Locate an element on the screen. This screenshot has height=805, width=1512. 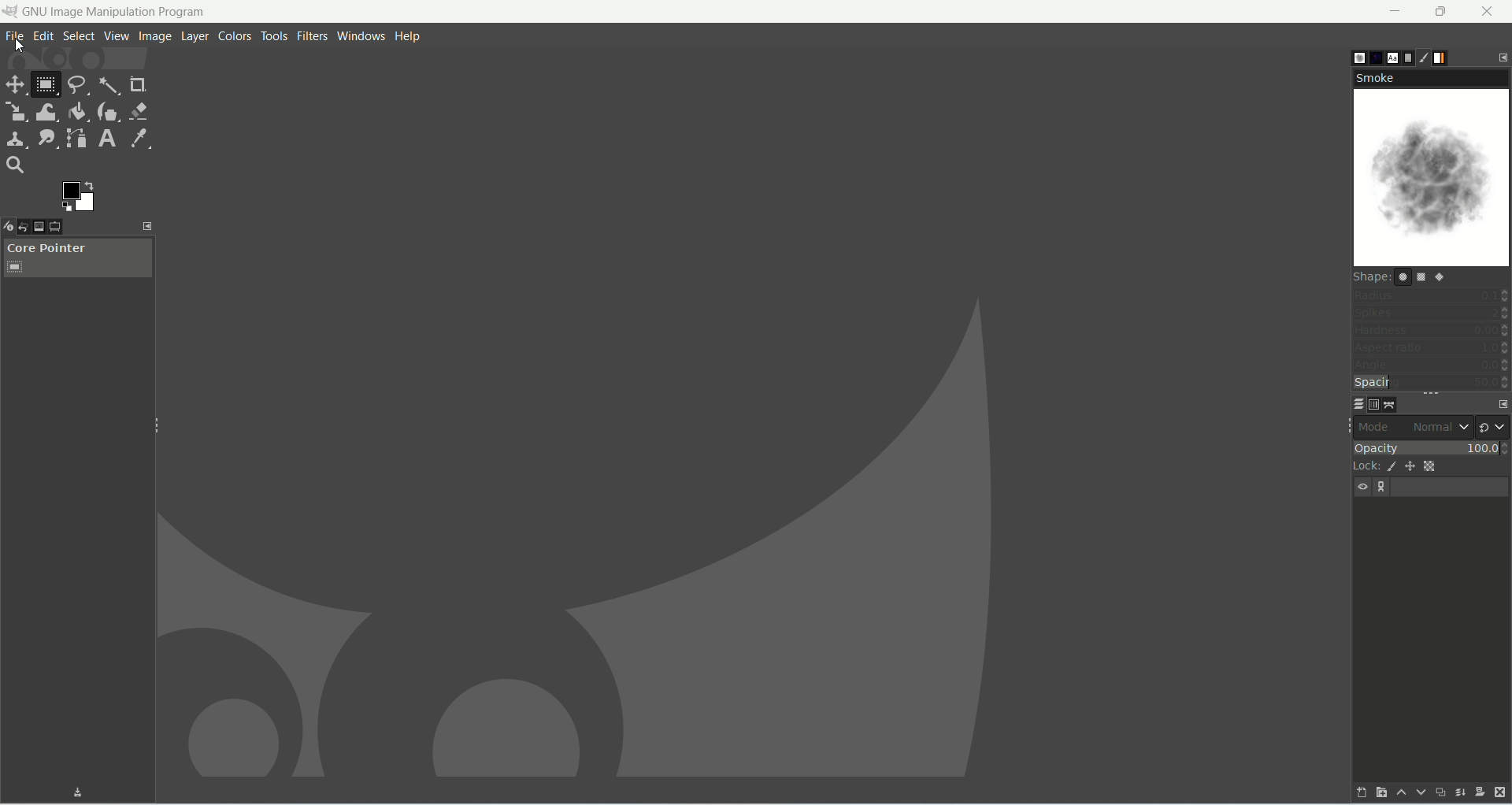
lower this layer is located at coordinates (1421, 793).